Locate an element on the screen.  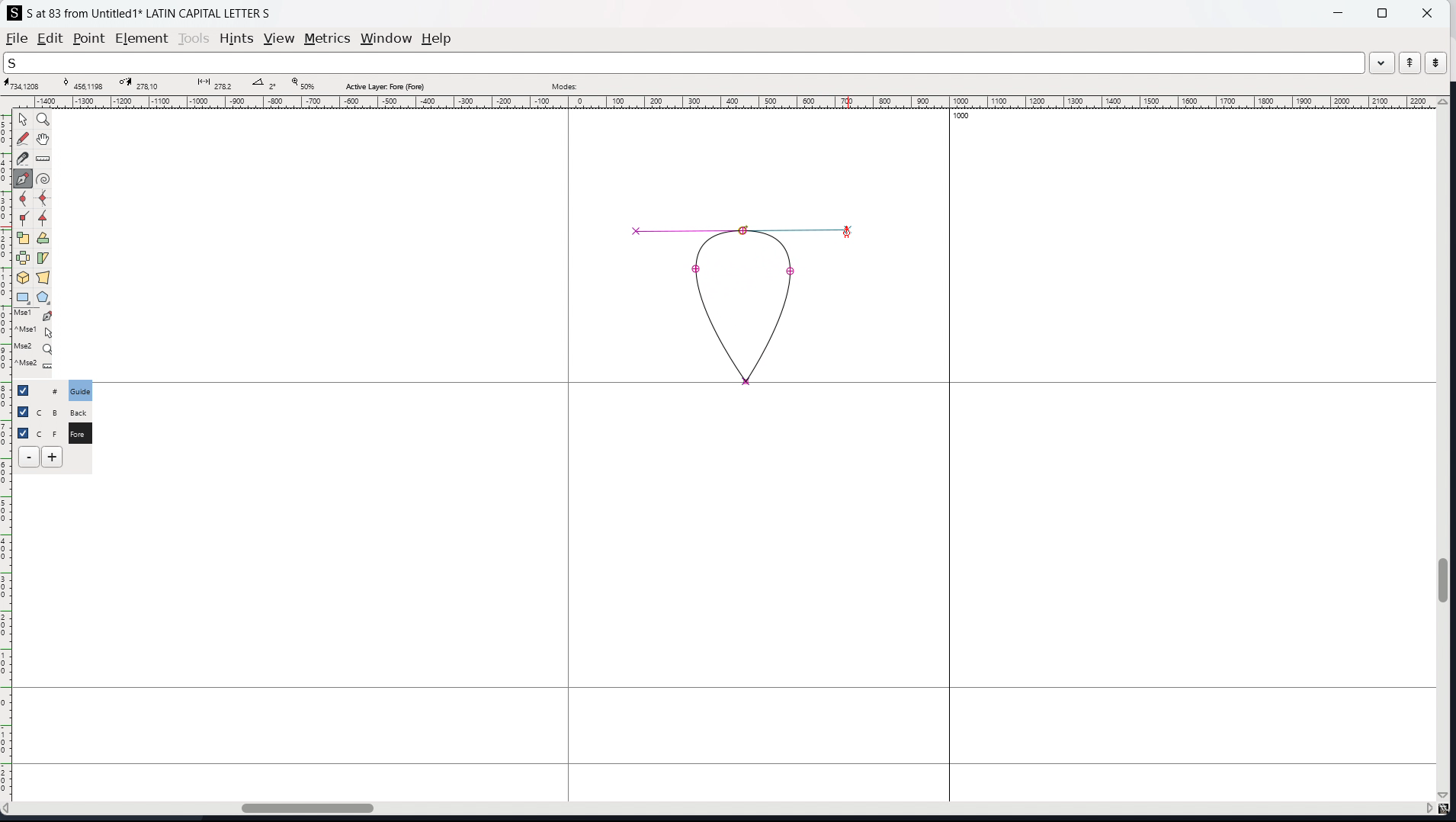
# Guide is located at coordinates (82, 390).